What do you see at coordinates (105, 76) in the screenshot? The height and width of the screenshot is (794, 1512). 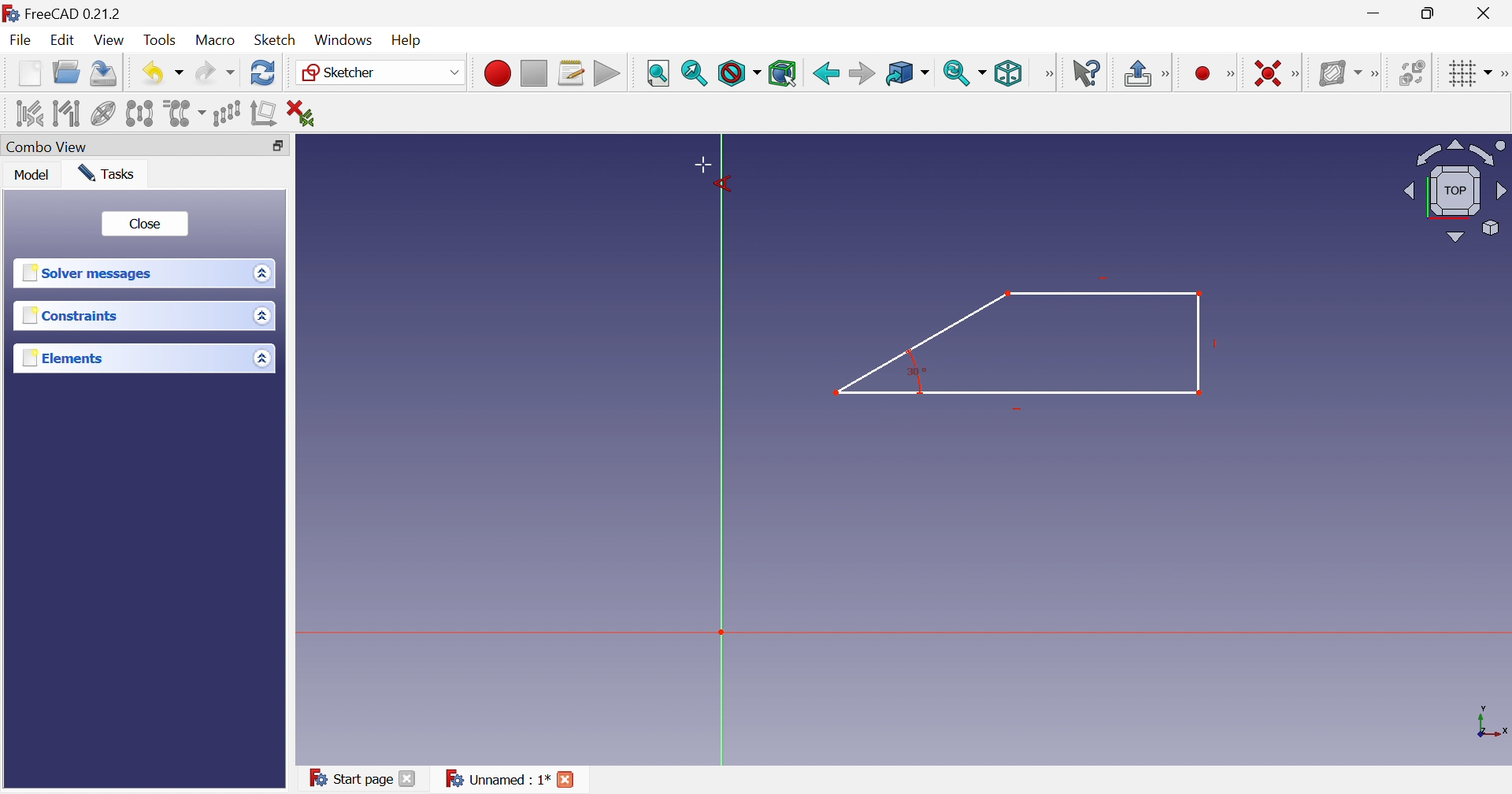 I see `Save` at bounding box center [105, 76].